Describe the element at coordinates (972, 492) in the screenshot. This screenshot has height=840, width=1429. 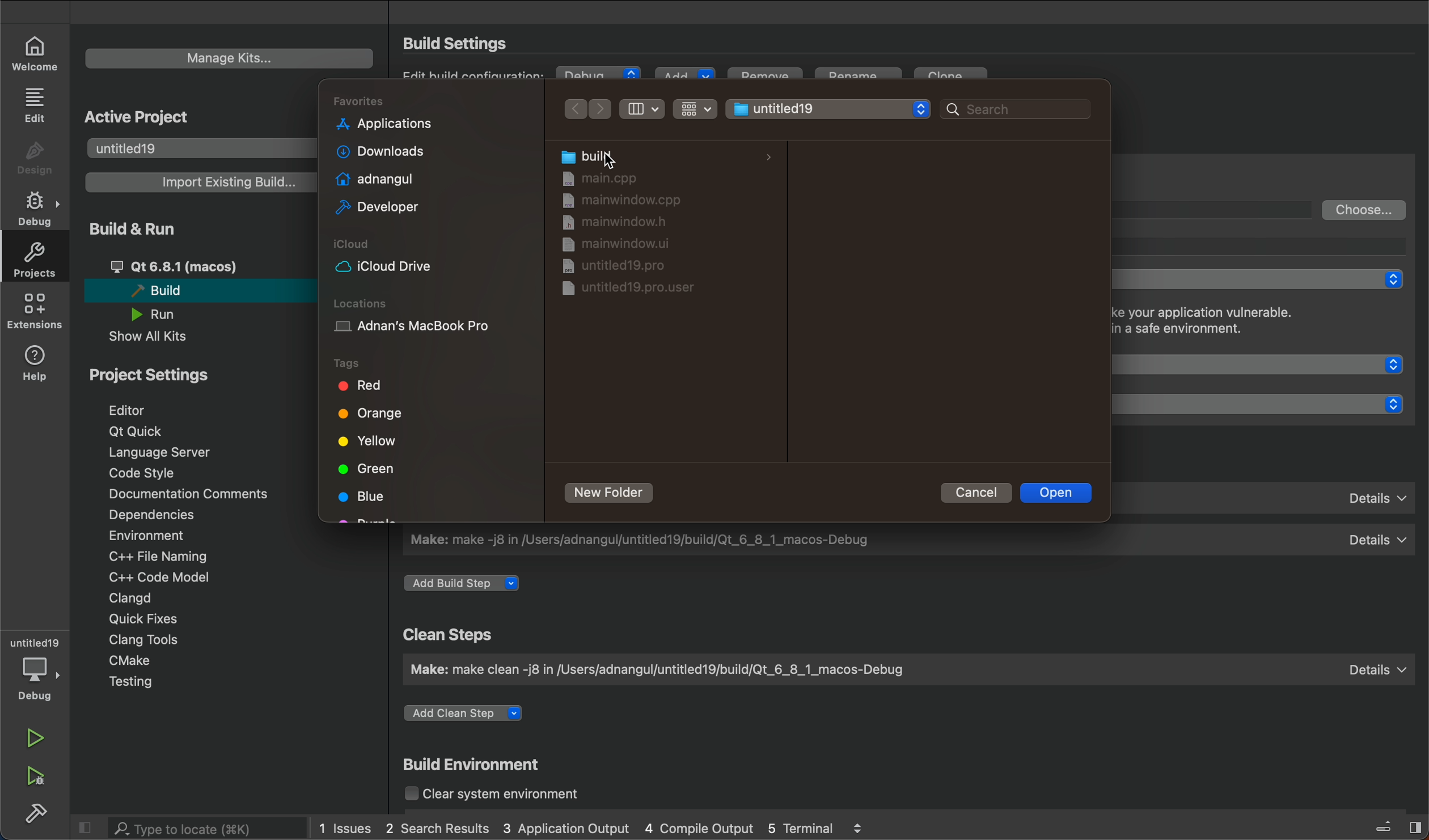
I see `cancel` at that location.